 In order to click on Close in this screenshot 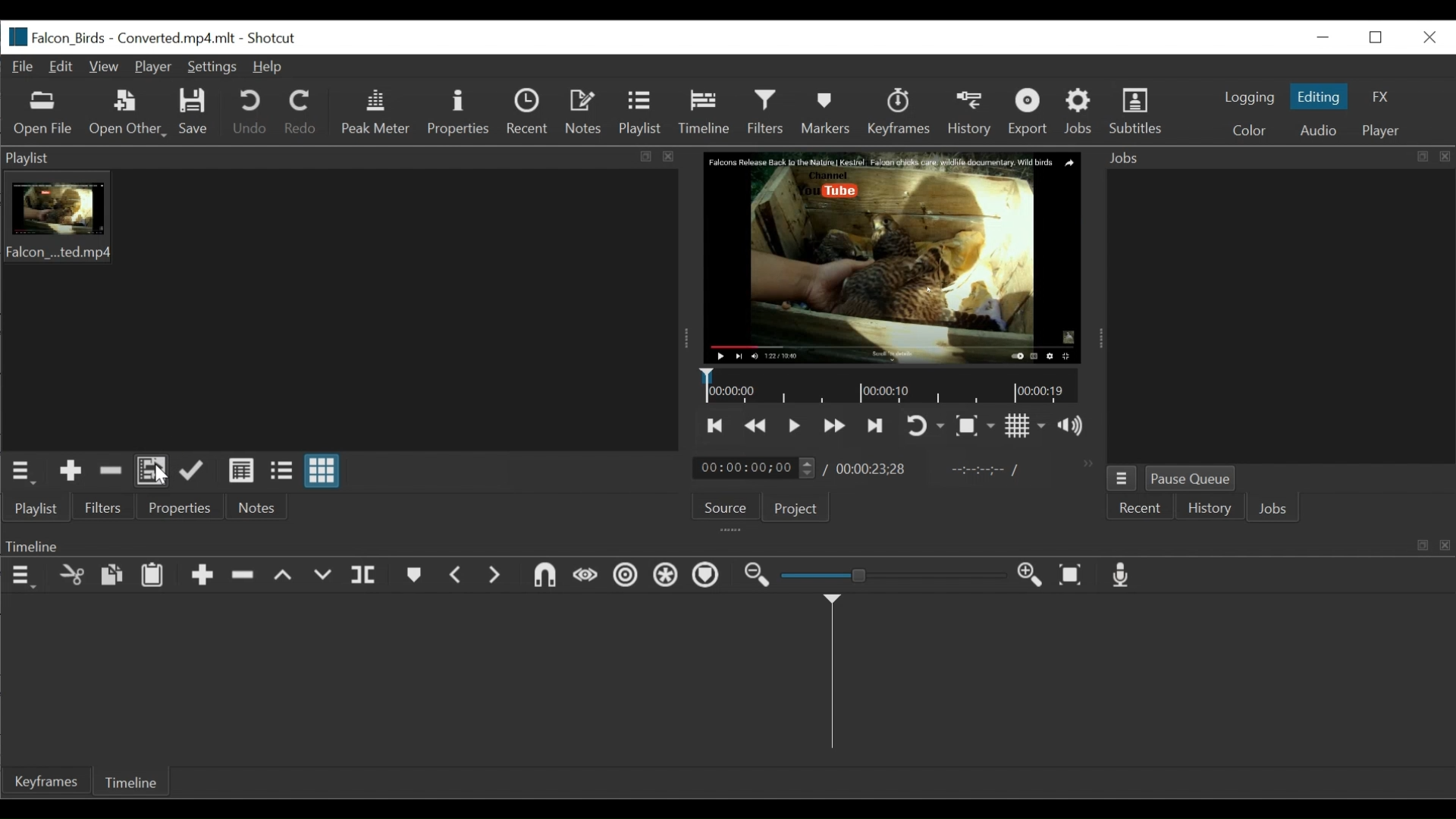, I will do `click(1426, 36)`.